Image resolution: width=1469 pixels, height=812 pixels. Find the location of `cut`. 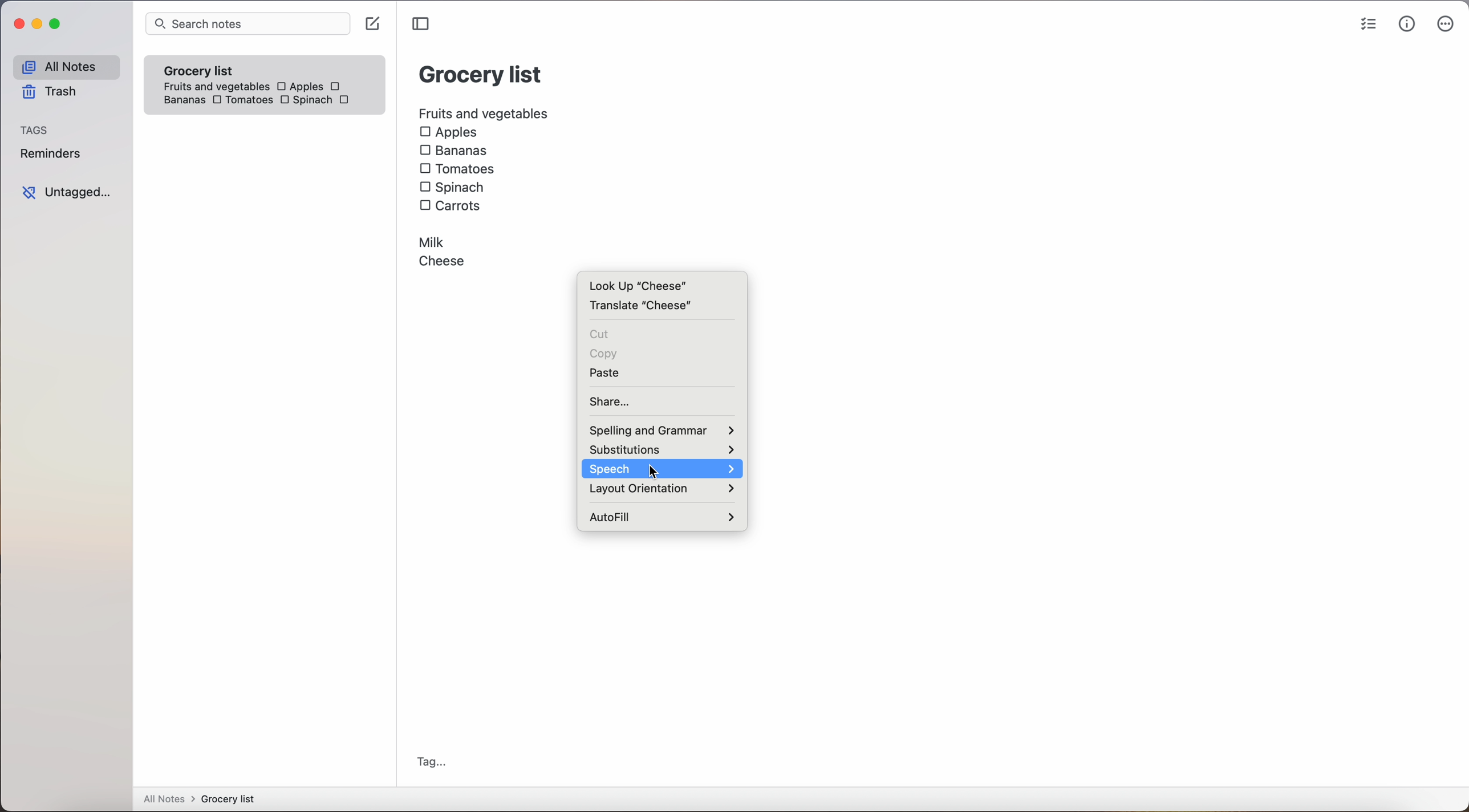

cut is located at coordinates (599, 335).